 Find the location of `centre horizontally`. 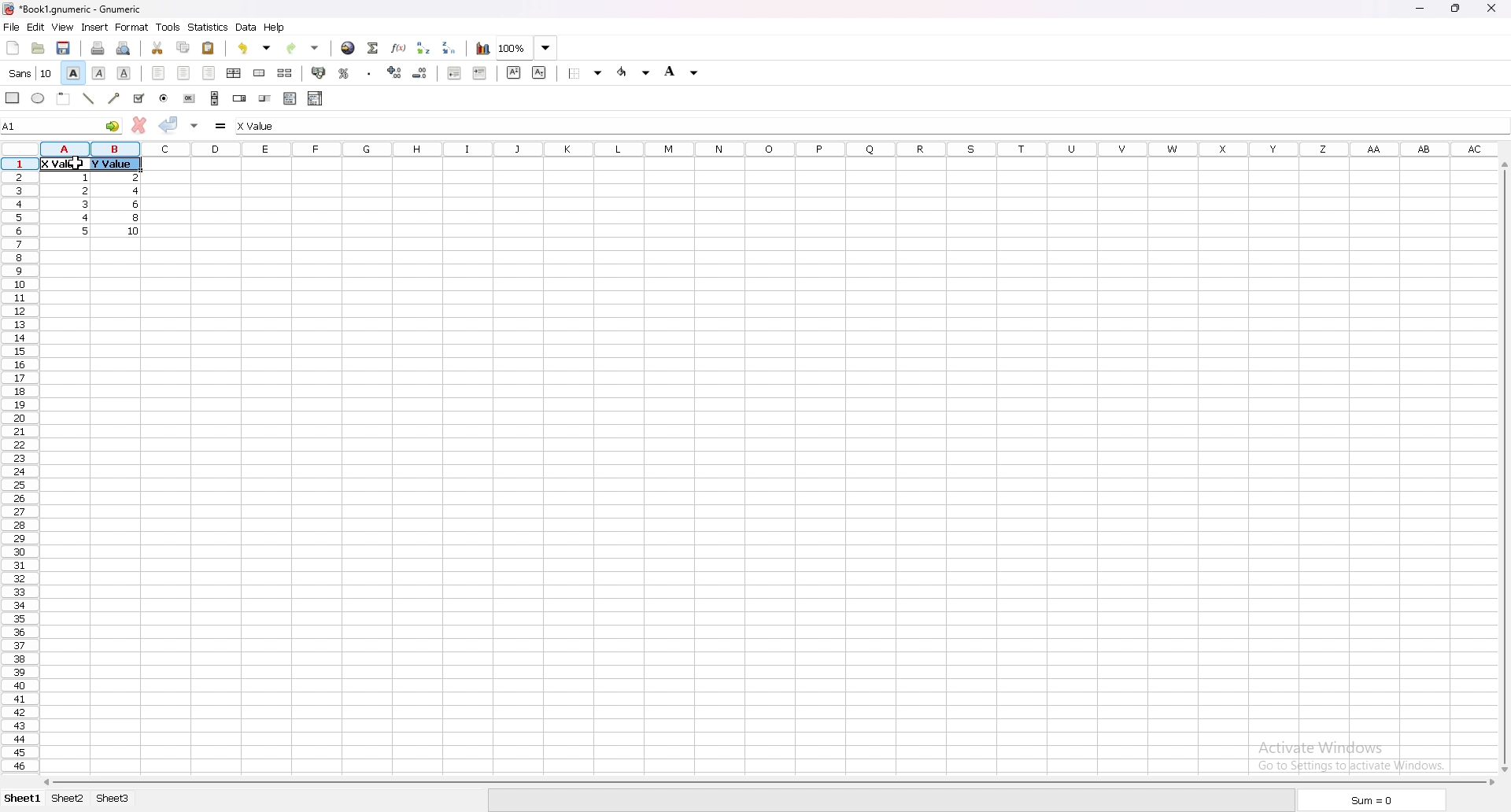

centre horizontally is located at coordinates (235, 72).